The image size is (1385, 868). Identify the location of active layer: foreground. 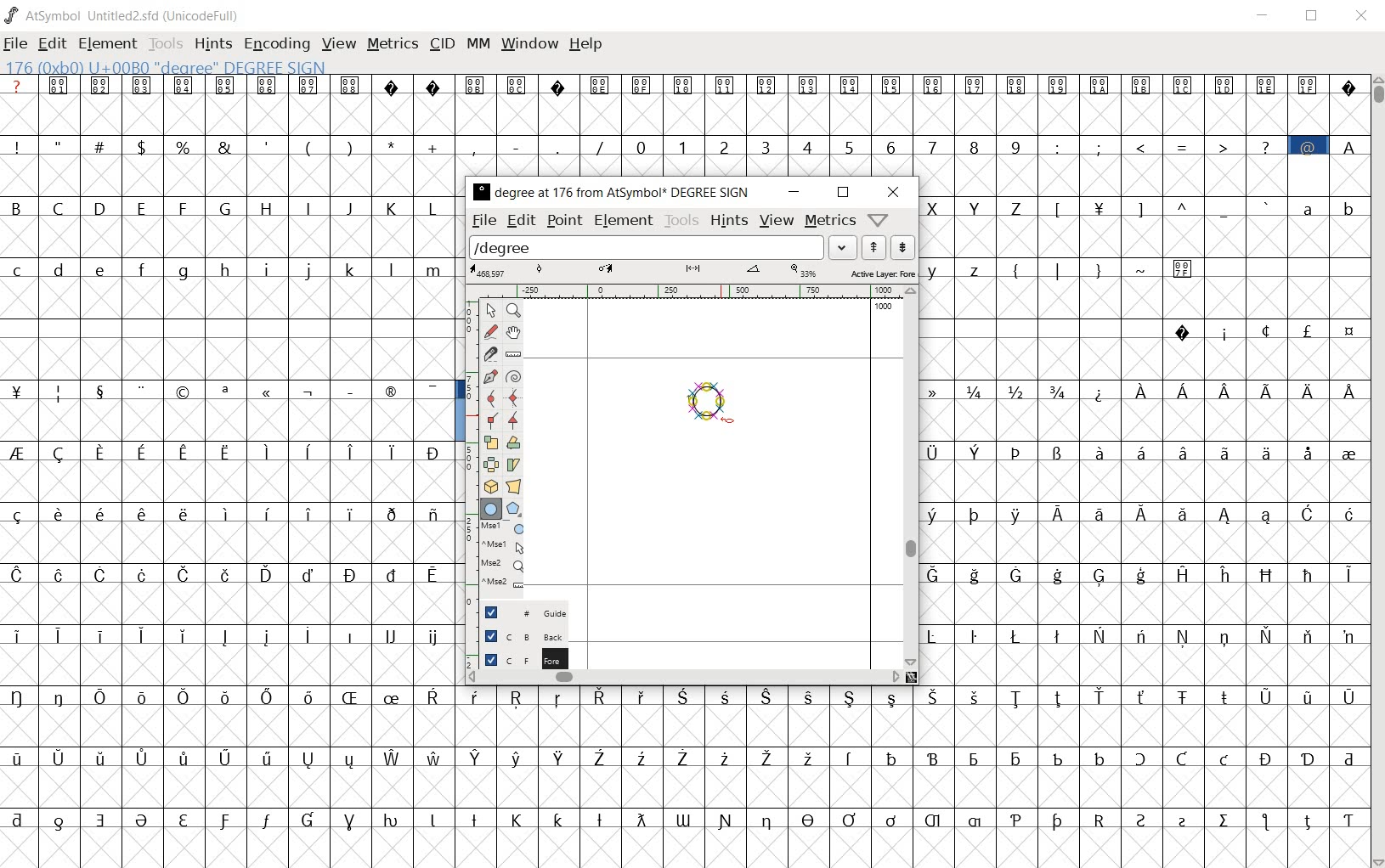
(692, 271).